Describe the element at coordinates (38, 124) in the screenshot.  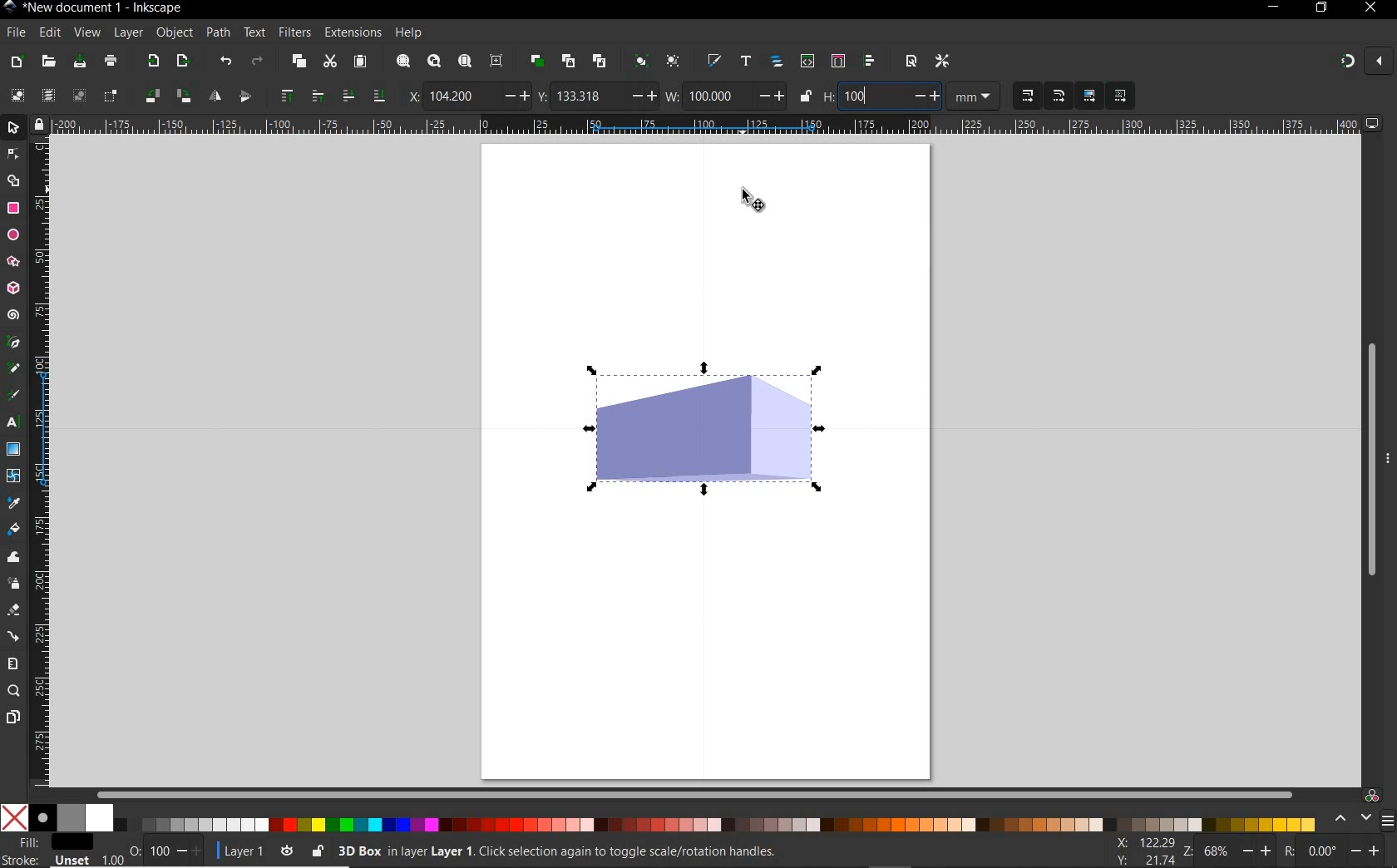
I see `lock` at that location.